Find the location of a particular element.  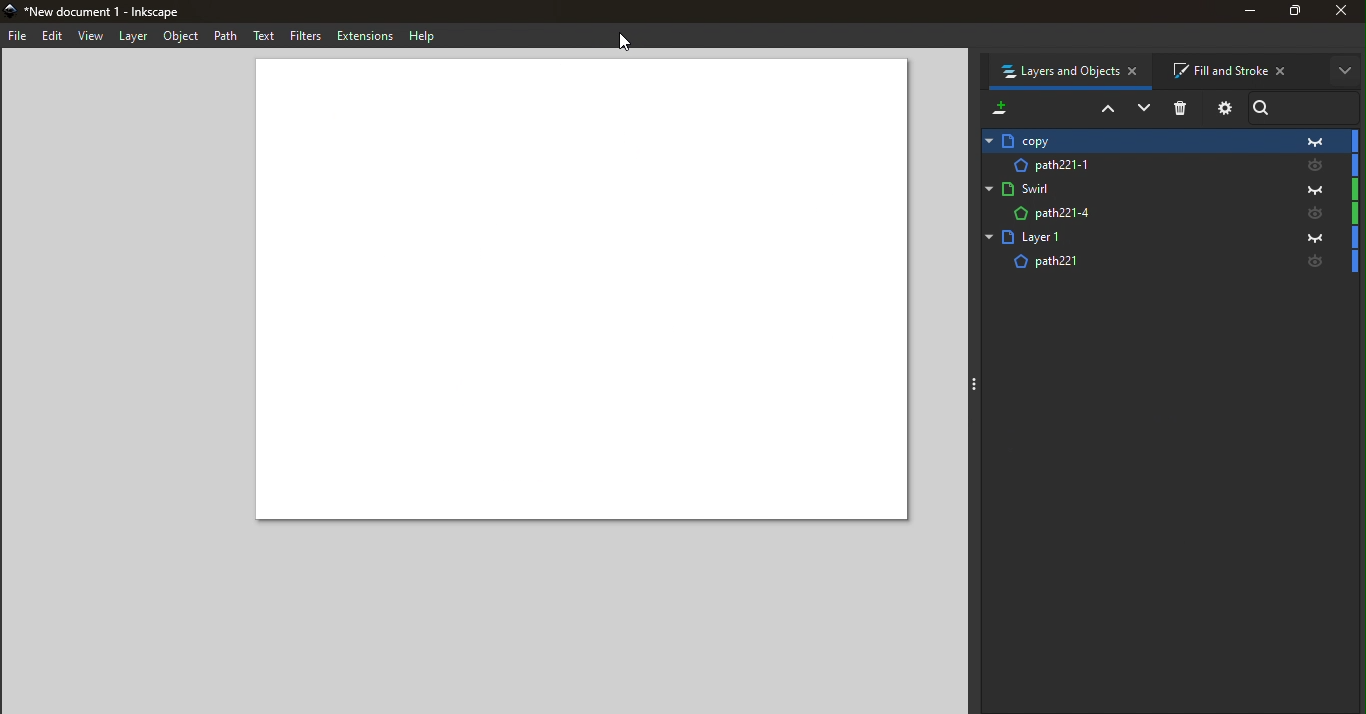

Layer is located at coordinates (1135, 139).